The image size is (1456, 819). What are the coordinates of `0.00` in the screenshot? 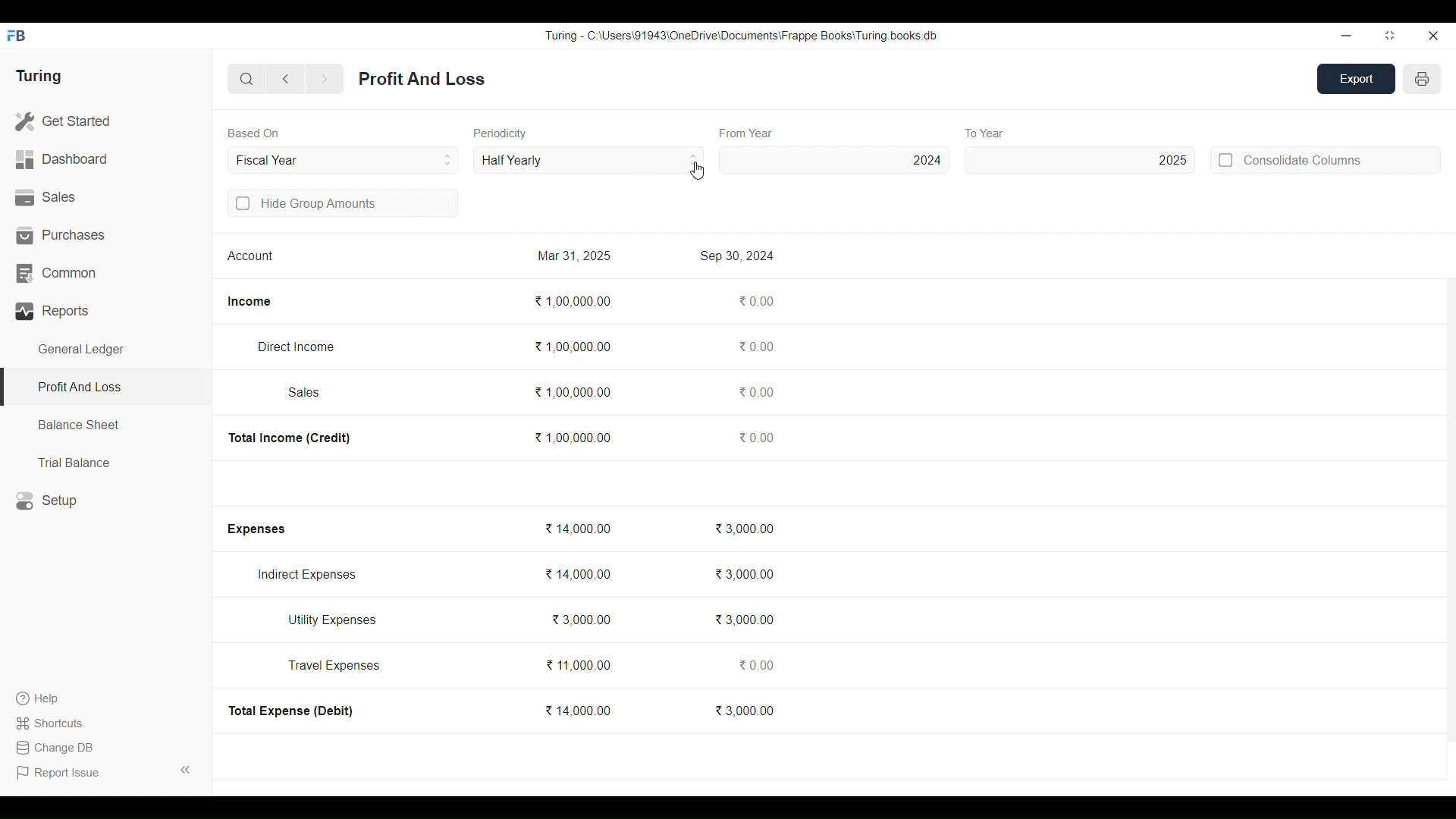 It's located at (755, 347).